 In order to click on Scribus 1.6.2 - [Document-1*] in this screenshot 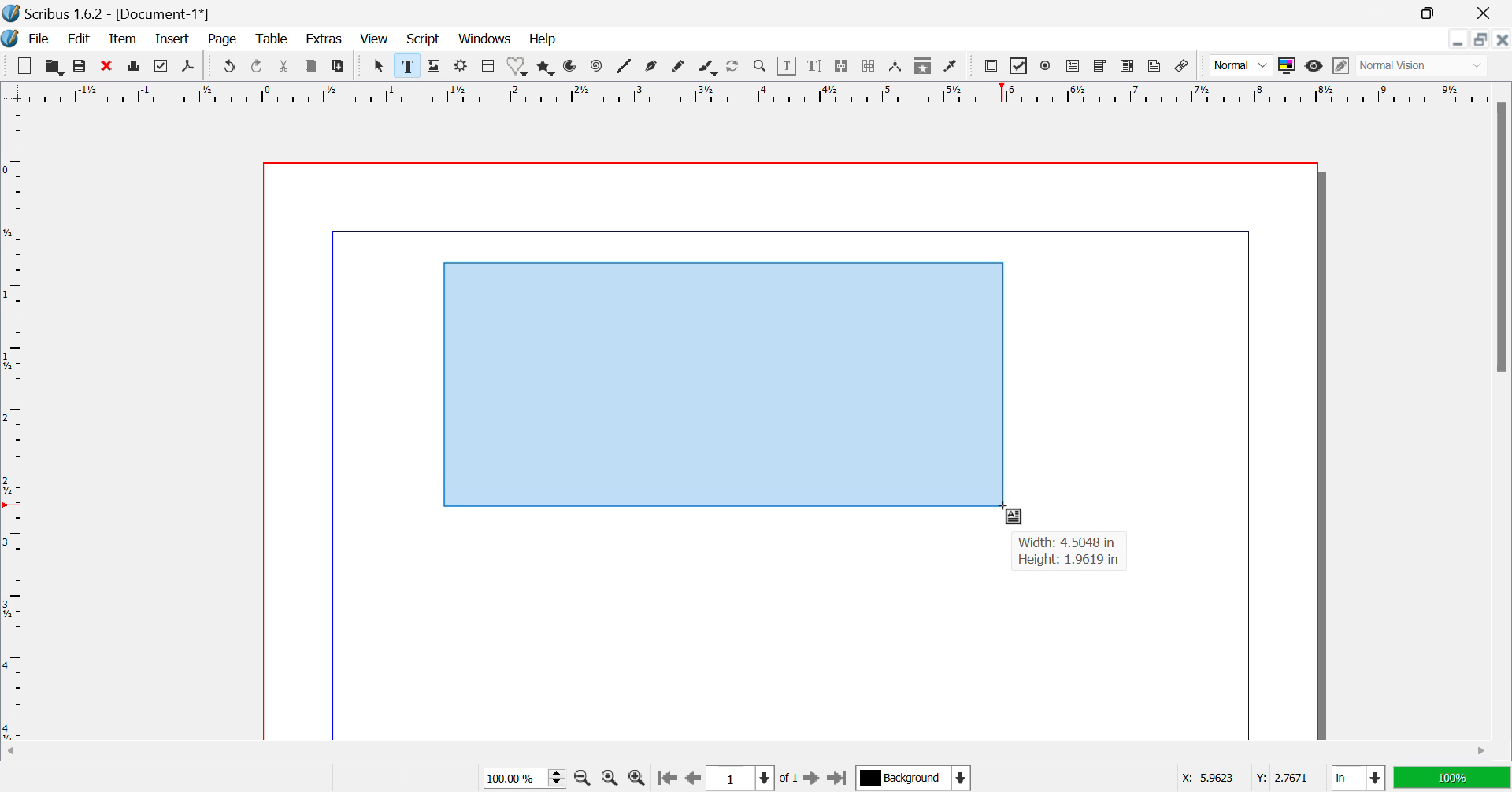, I will do `click(115, 13)`.